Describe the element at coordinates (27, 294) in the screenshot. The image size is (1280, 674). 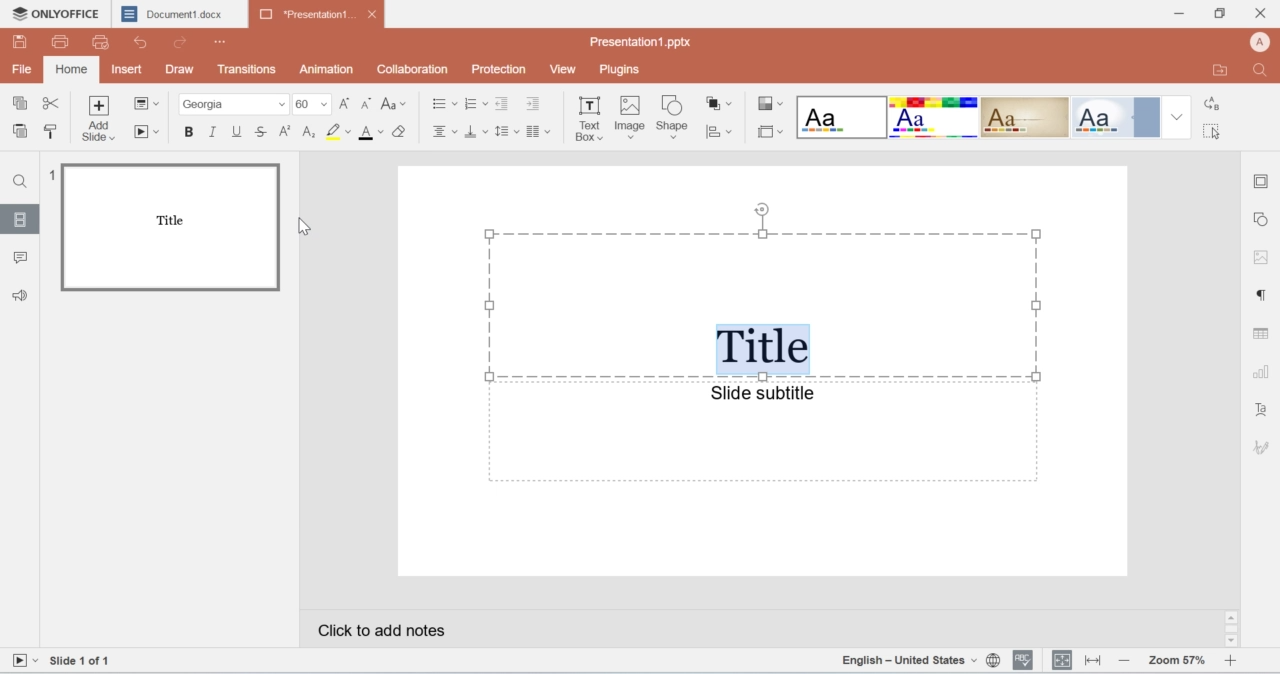
I see `audio` at that location.